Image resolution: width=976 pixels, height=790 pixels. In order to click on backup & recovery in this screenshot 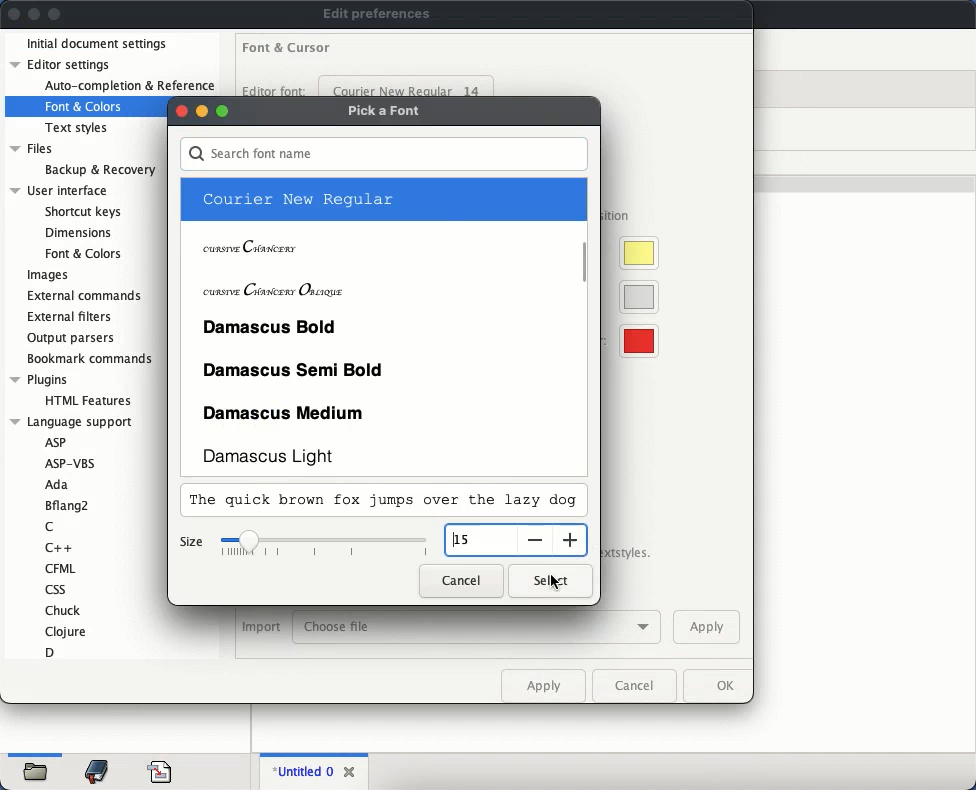, I will do `click(100, 170)`.